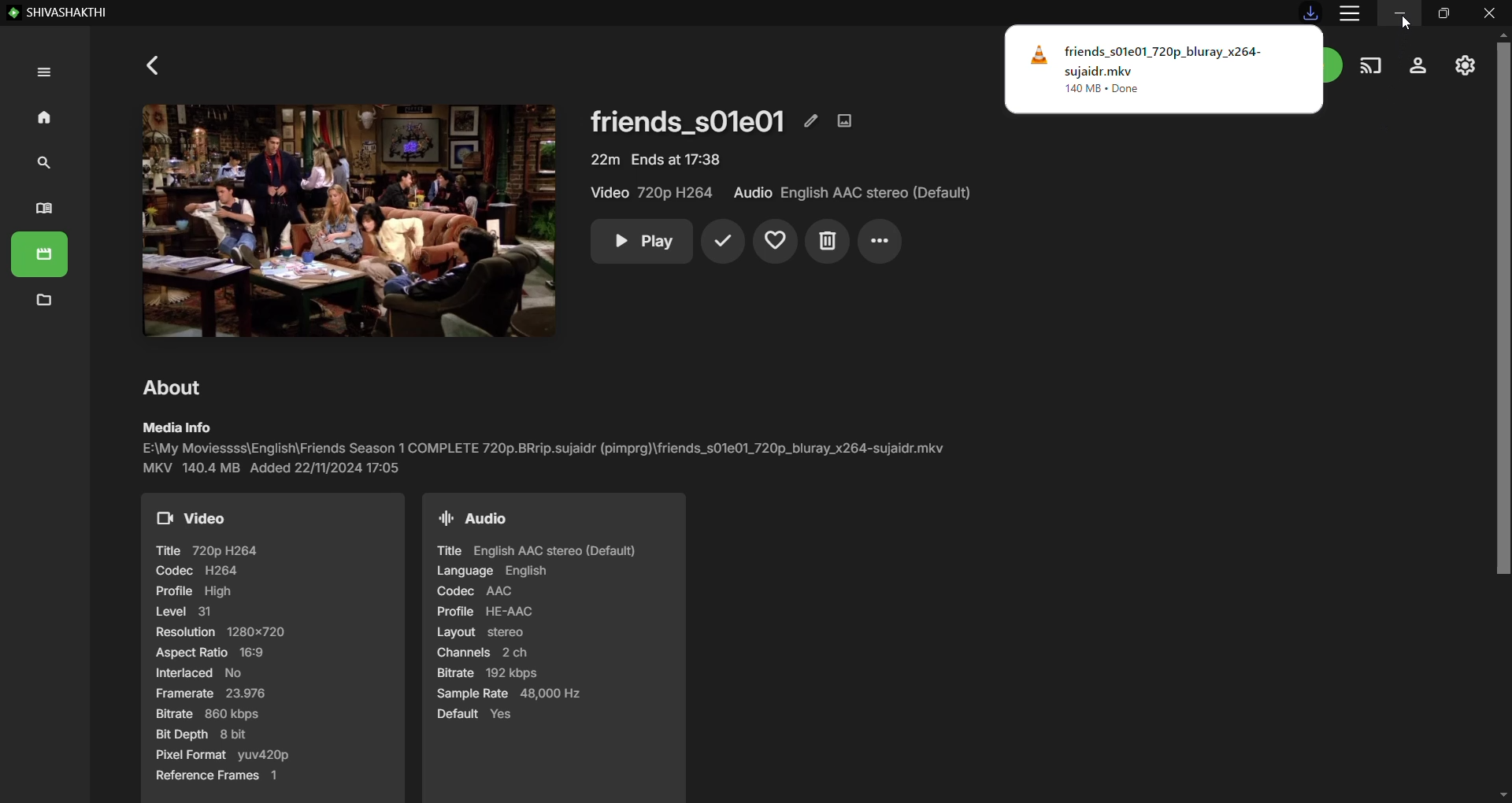 The width and height of the screenshot is (1512, 803). Describe the element at coordinates (847, 120) in the screenshot. I see `Edit Images` at that location.